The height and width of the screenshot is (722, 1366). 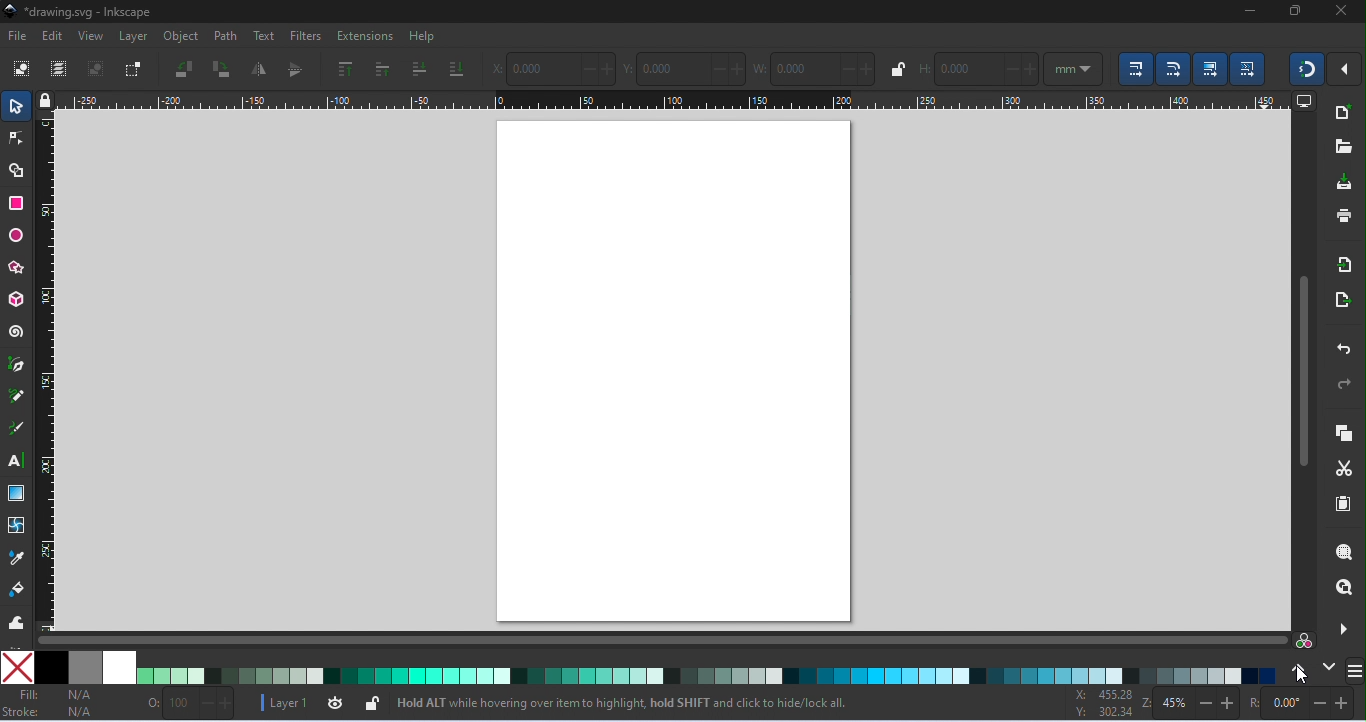 I want to click on node, so click(x=15, y=138).